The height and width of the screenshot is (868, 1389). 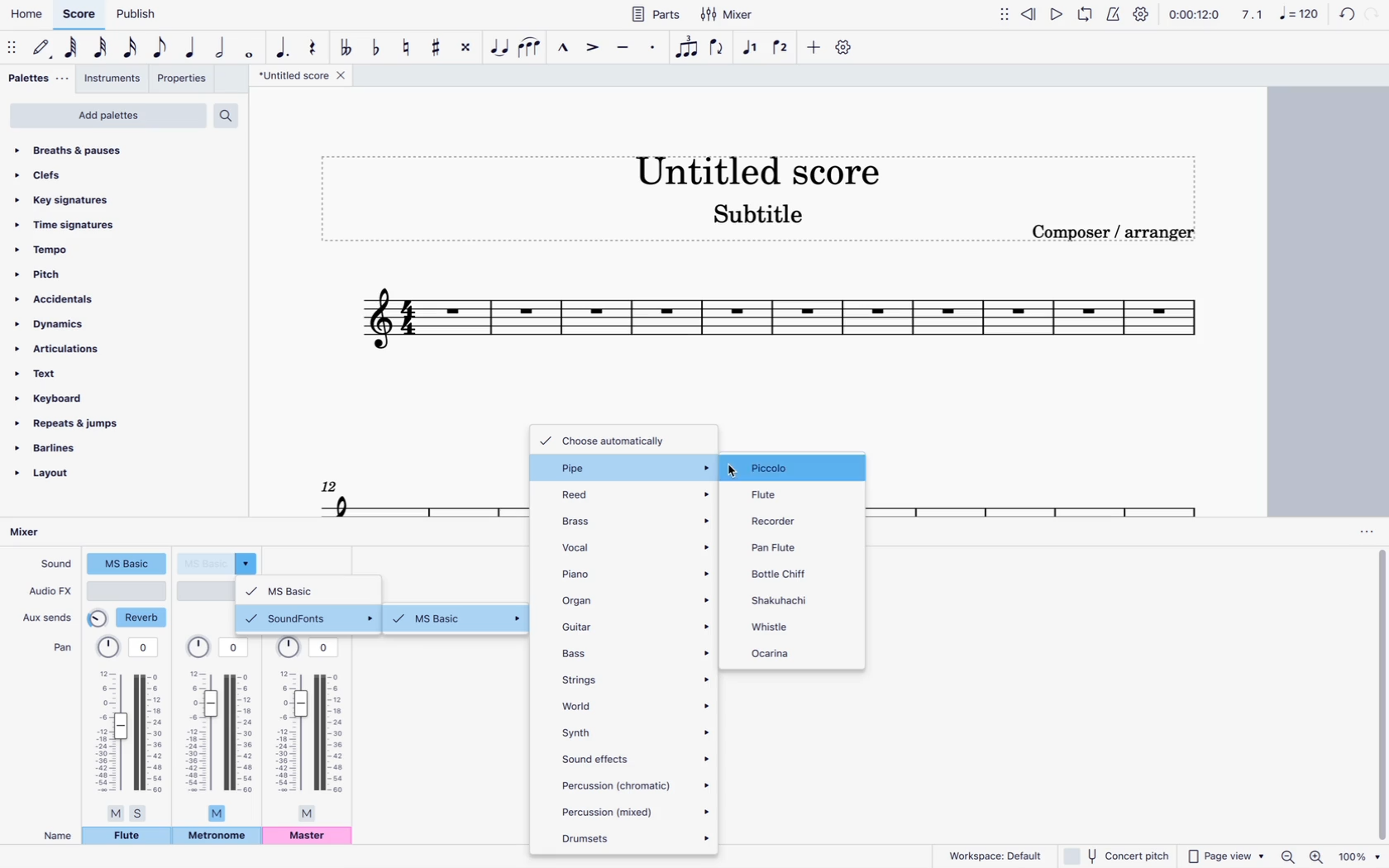 What do you see at coordinates (795, 599) in the screenshot?
I see `shakuhachi` at bounding box center [795, 599].